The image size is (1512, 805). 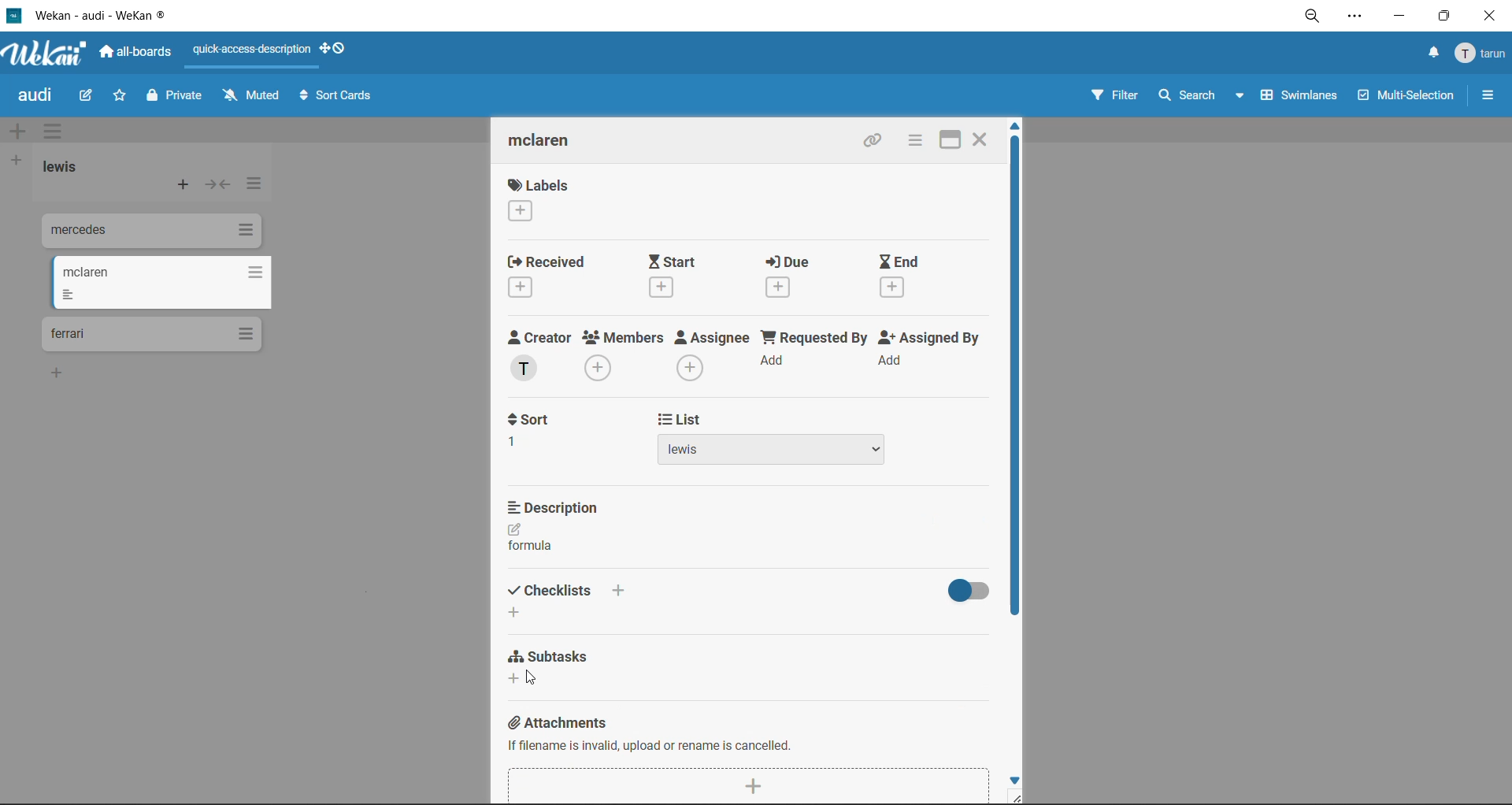 I want to click on add list, so click(x=15, y=161).